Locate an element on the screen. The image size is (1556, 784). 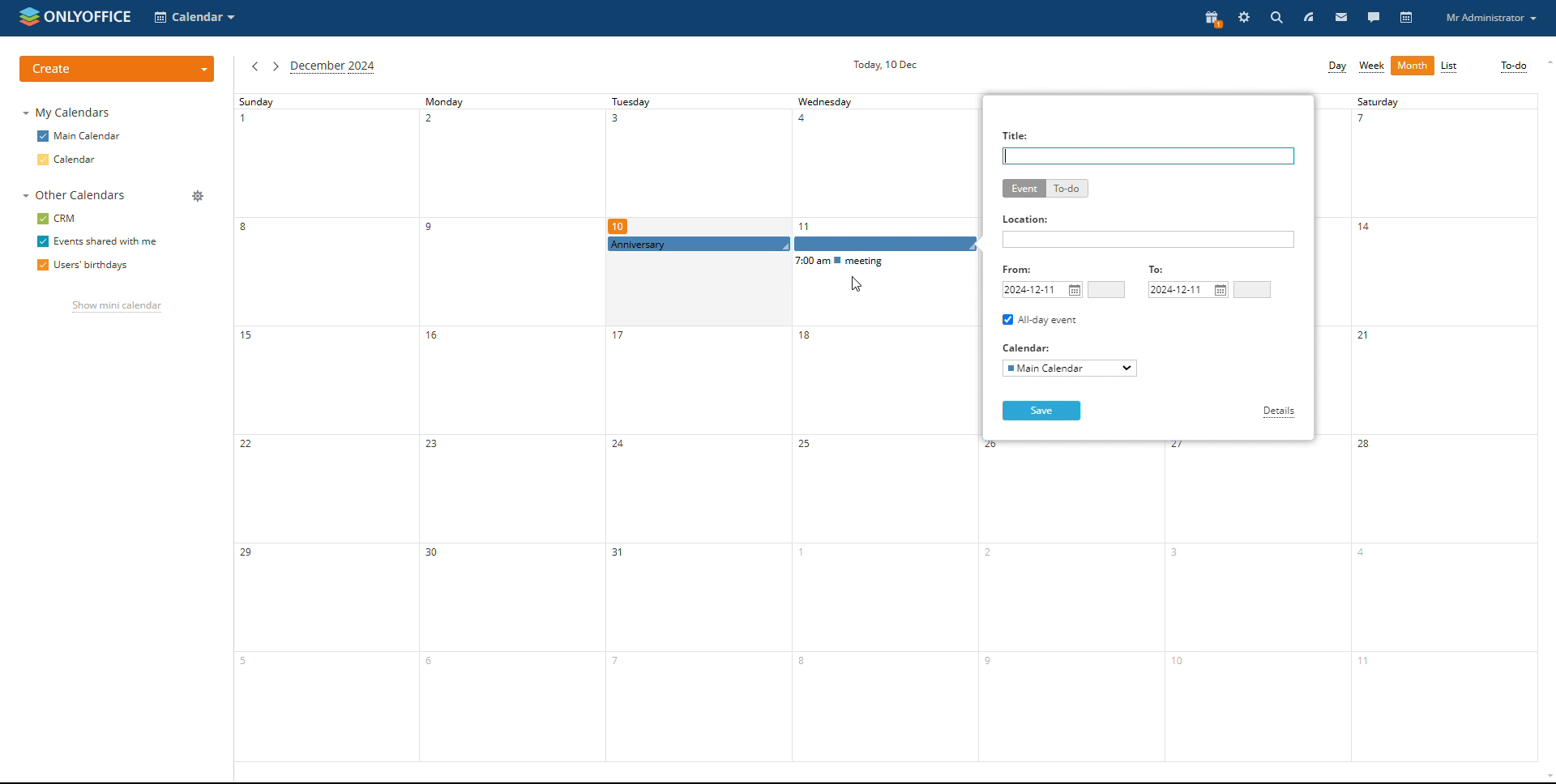
present is located at coordinates (1210, 19).